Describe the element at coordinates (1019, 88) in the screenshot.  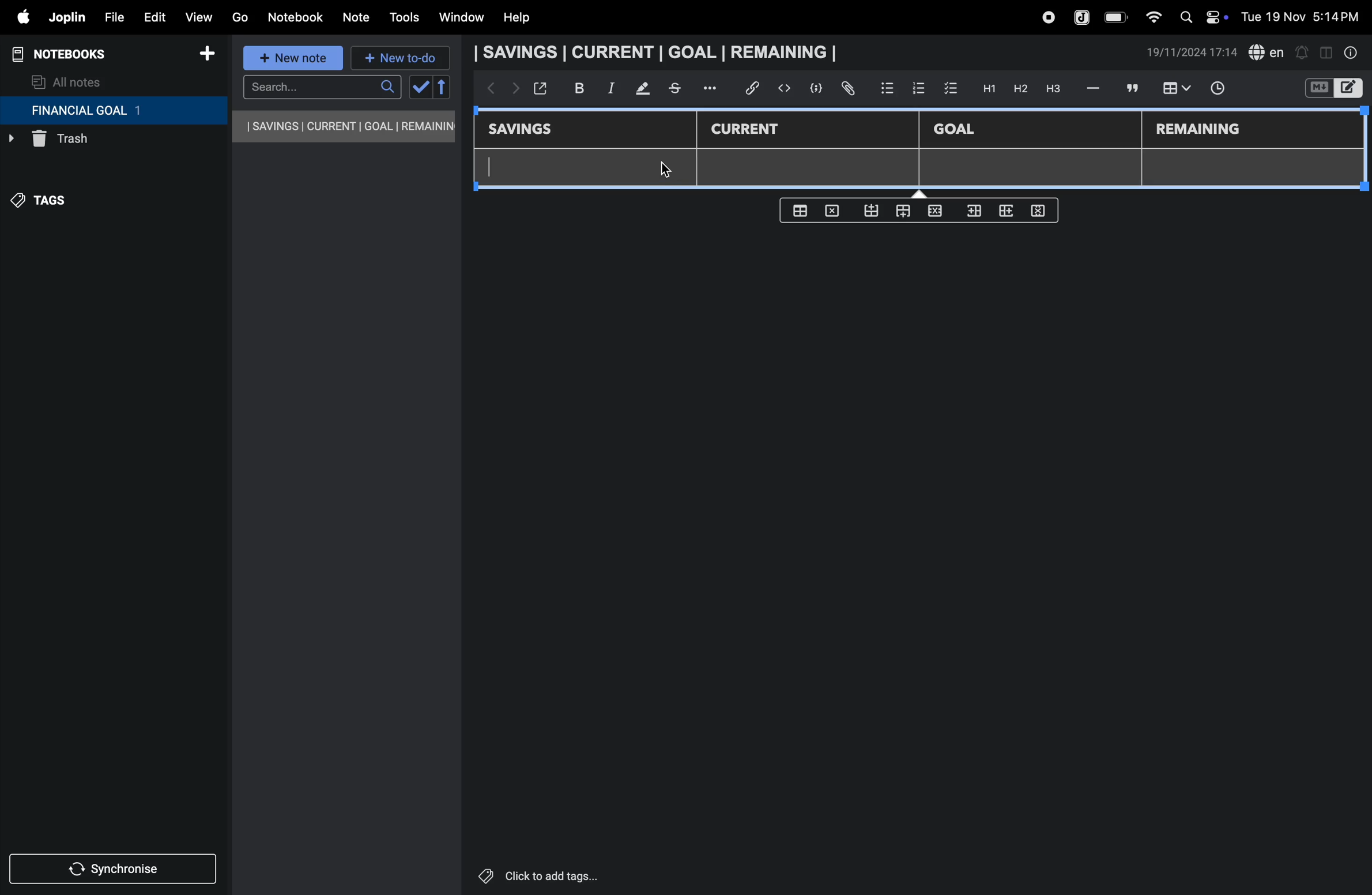
I see `h2` at that location.